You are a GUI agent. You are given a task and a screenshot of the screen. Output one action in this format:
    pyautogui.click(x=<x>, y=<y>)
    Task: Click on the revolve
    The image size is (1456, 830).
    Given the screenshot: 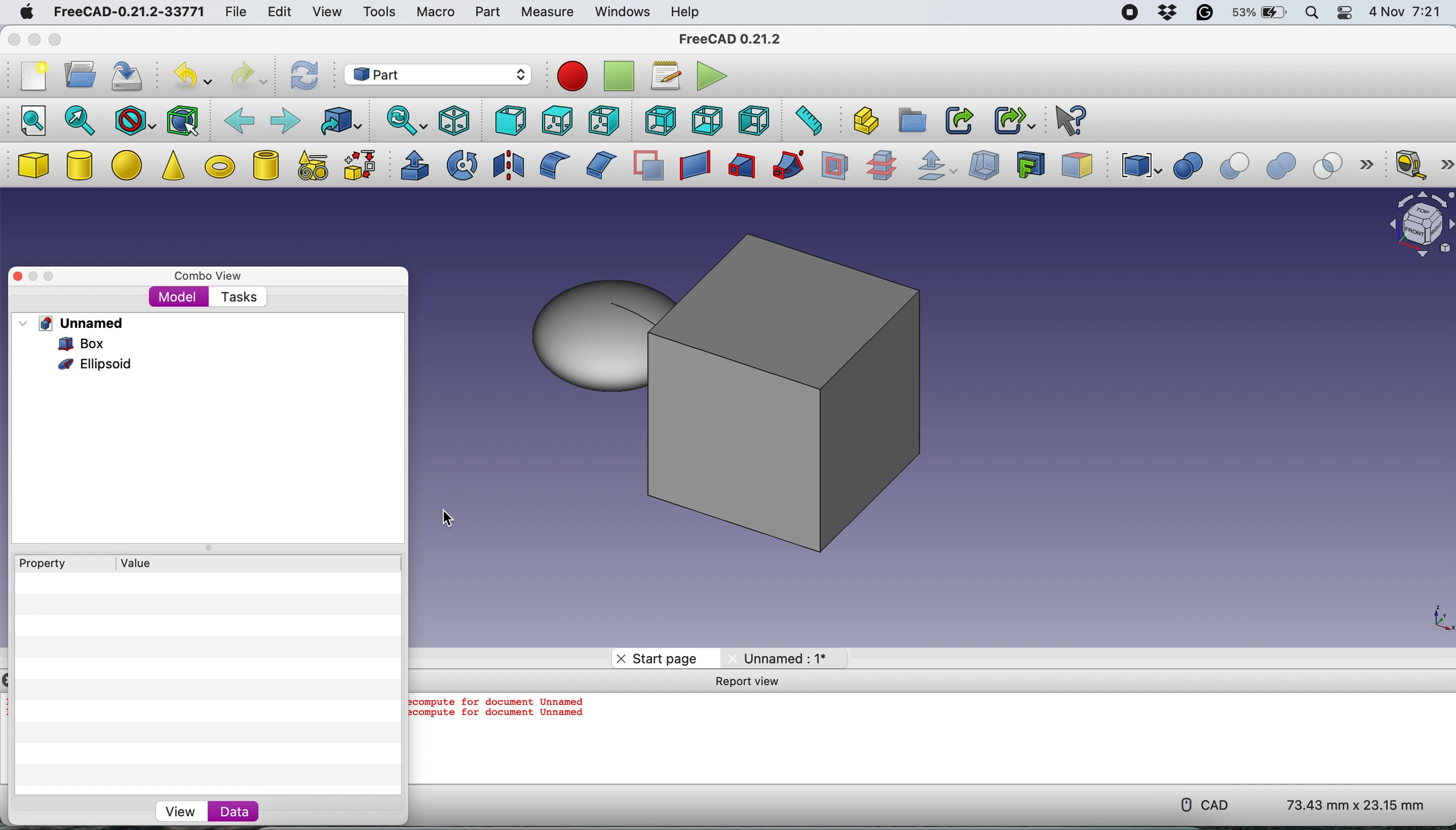 What is the action you would take?
    pyautogui.click(x=463, y=164)
    